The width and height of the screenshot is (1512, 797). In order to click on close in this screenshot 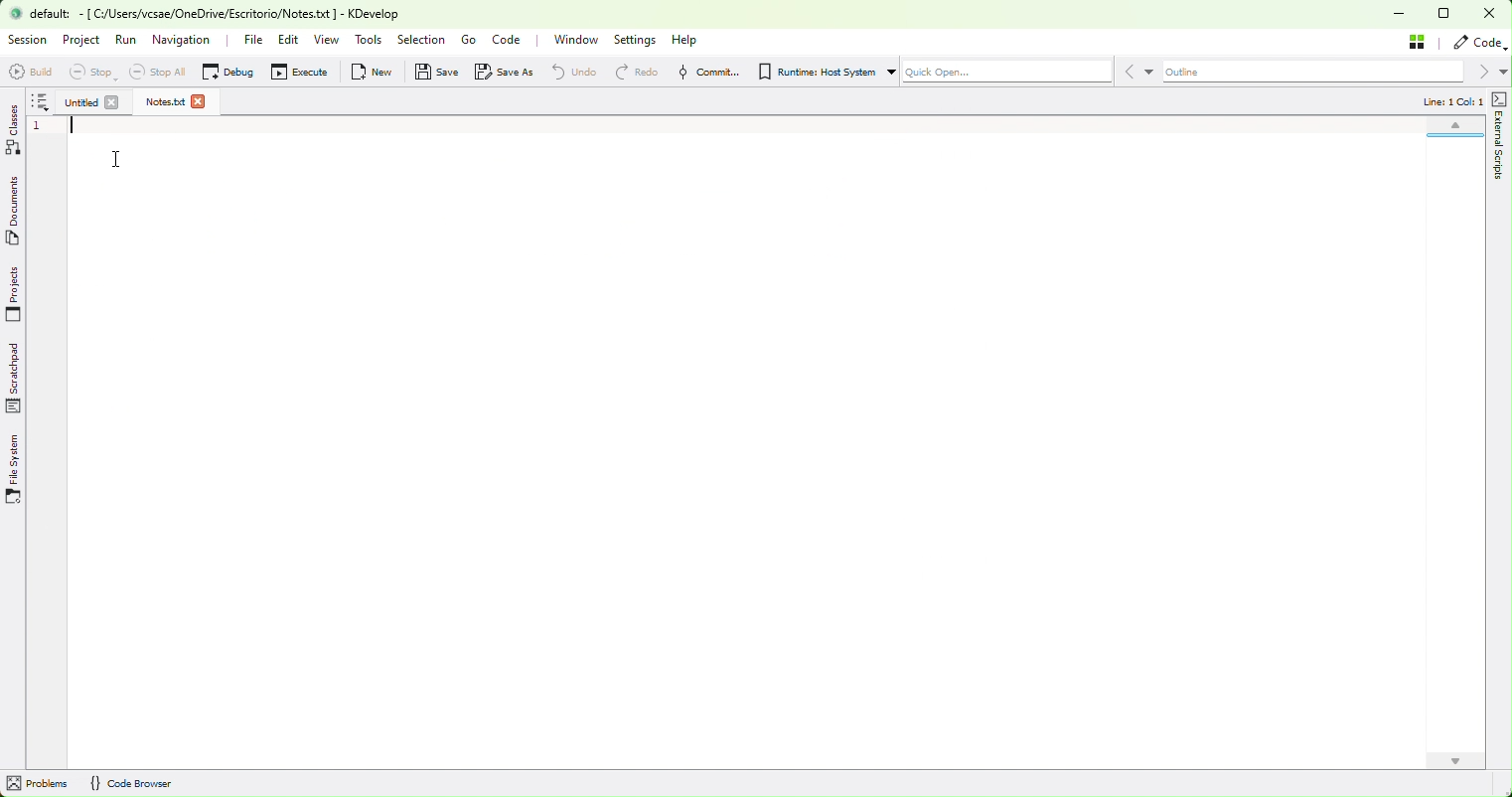, I will do `click(1494, 14)`.